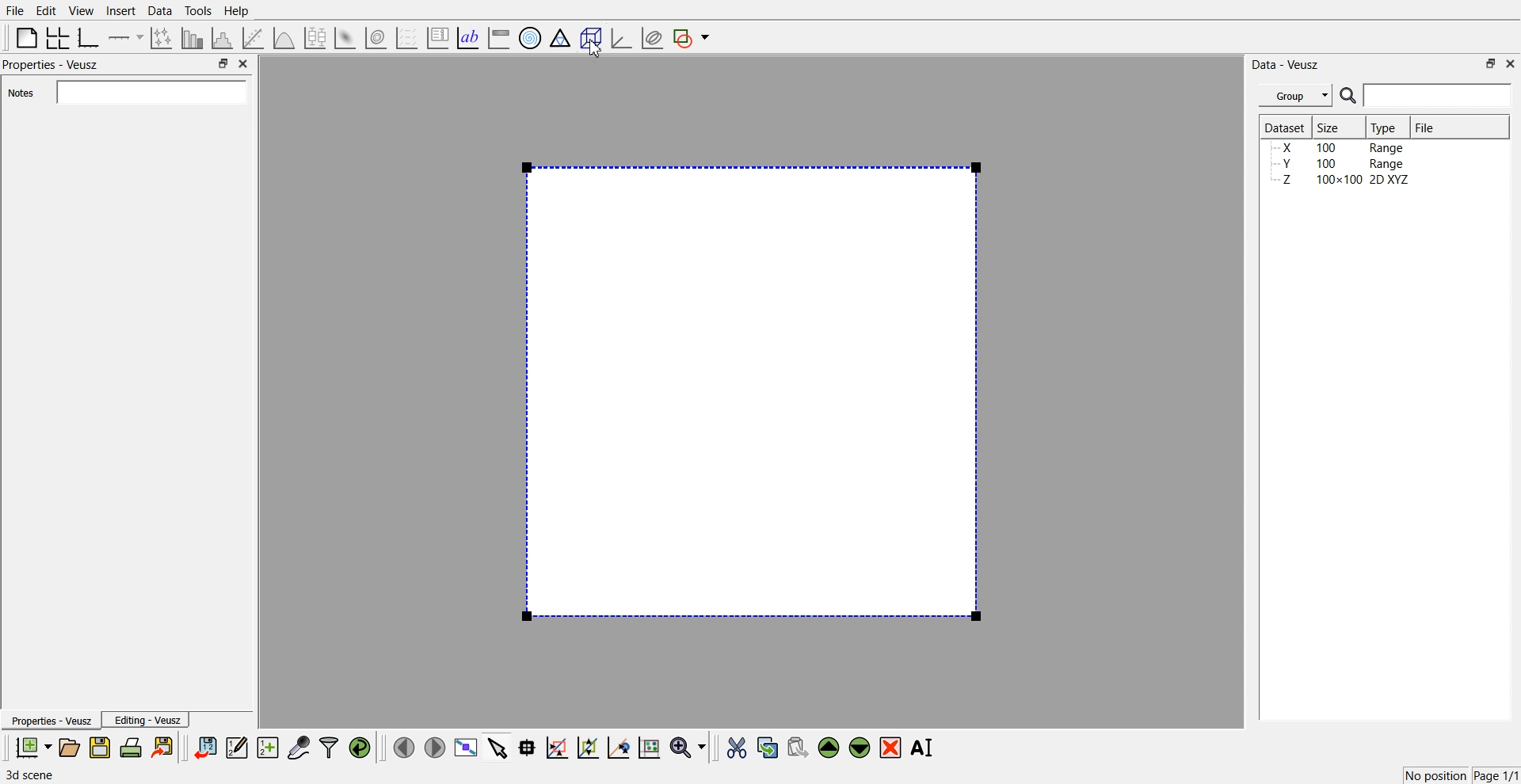  What do you see at coordinates (498, 746) in the screenshot?
I see `Select items from graph or scroll` at bounding box center [498, 746].